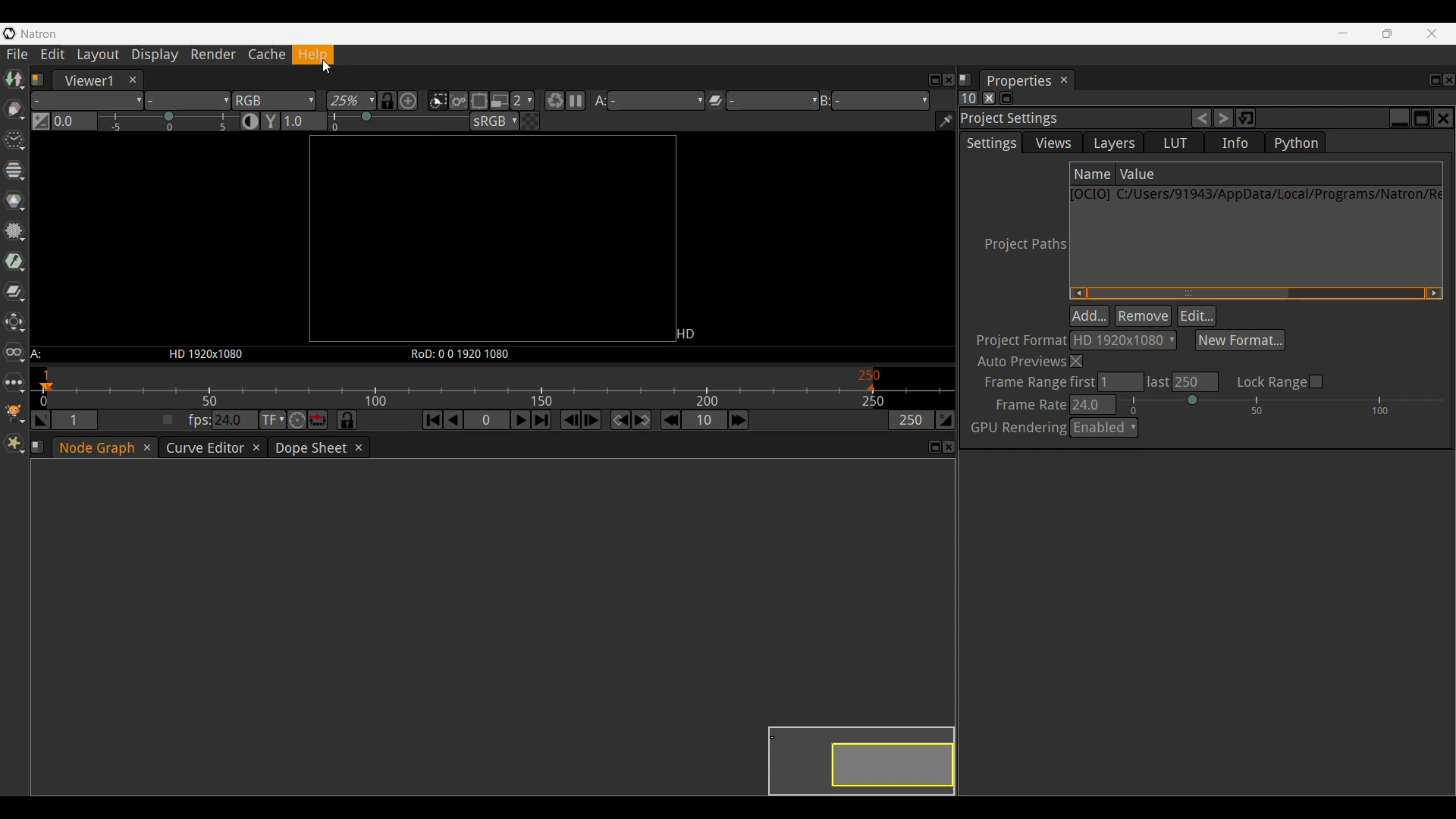 The height and width of the screenshot is (819, 1456). What do you see at coordinates (522, 100) in the screenshot?
I see `2` at bounding box center [522, 100].